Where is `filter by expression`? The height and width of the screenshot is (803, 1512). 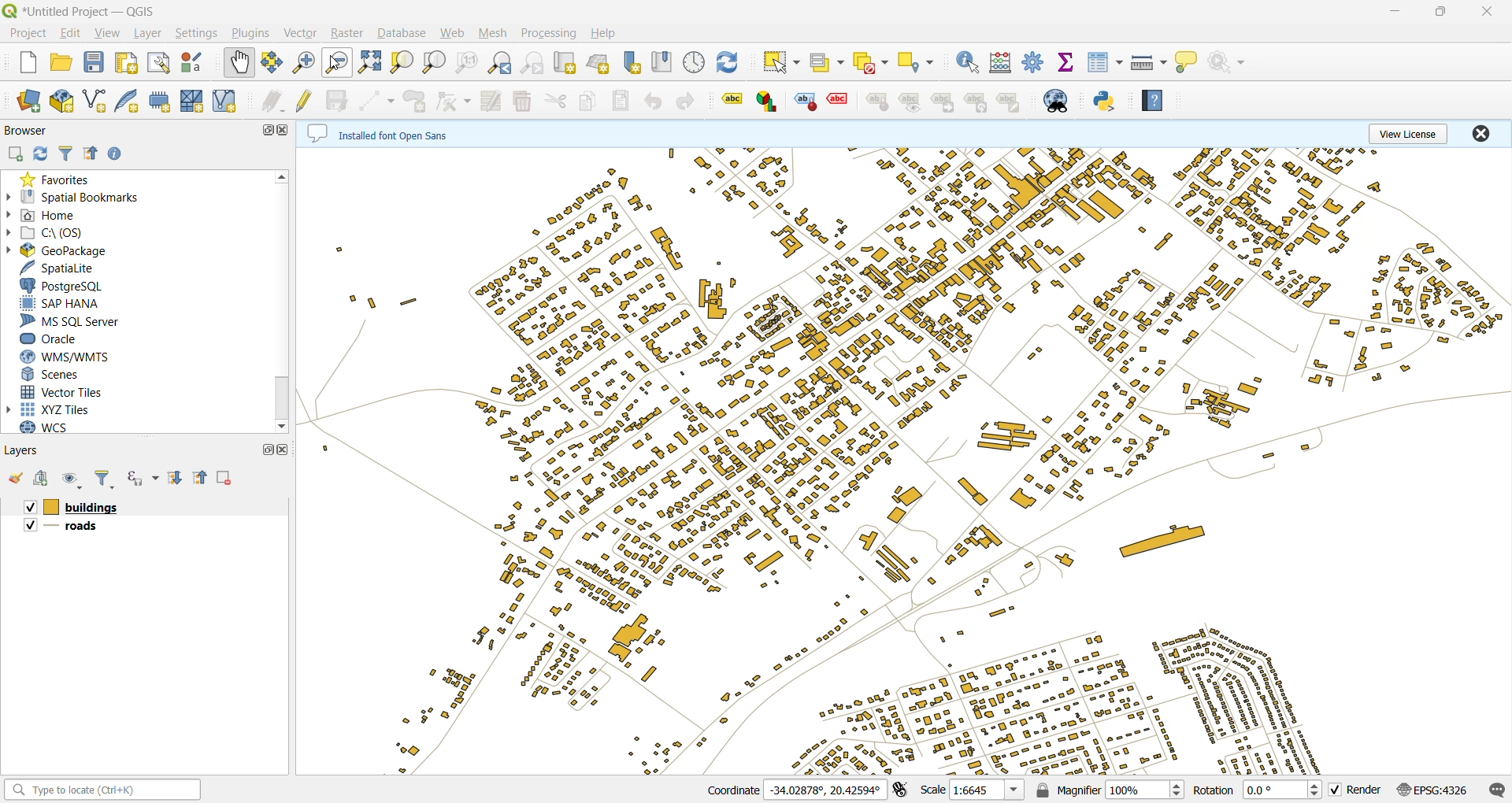 filter by expression is located at coordinates (136, 479).